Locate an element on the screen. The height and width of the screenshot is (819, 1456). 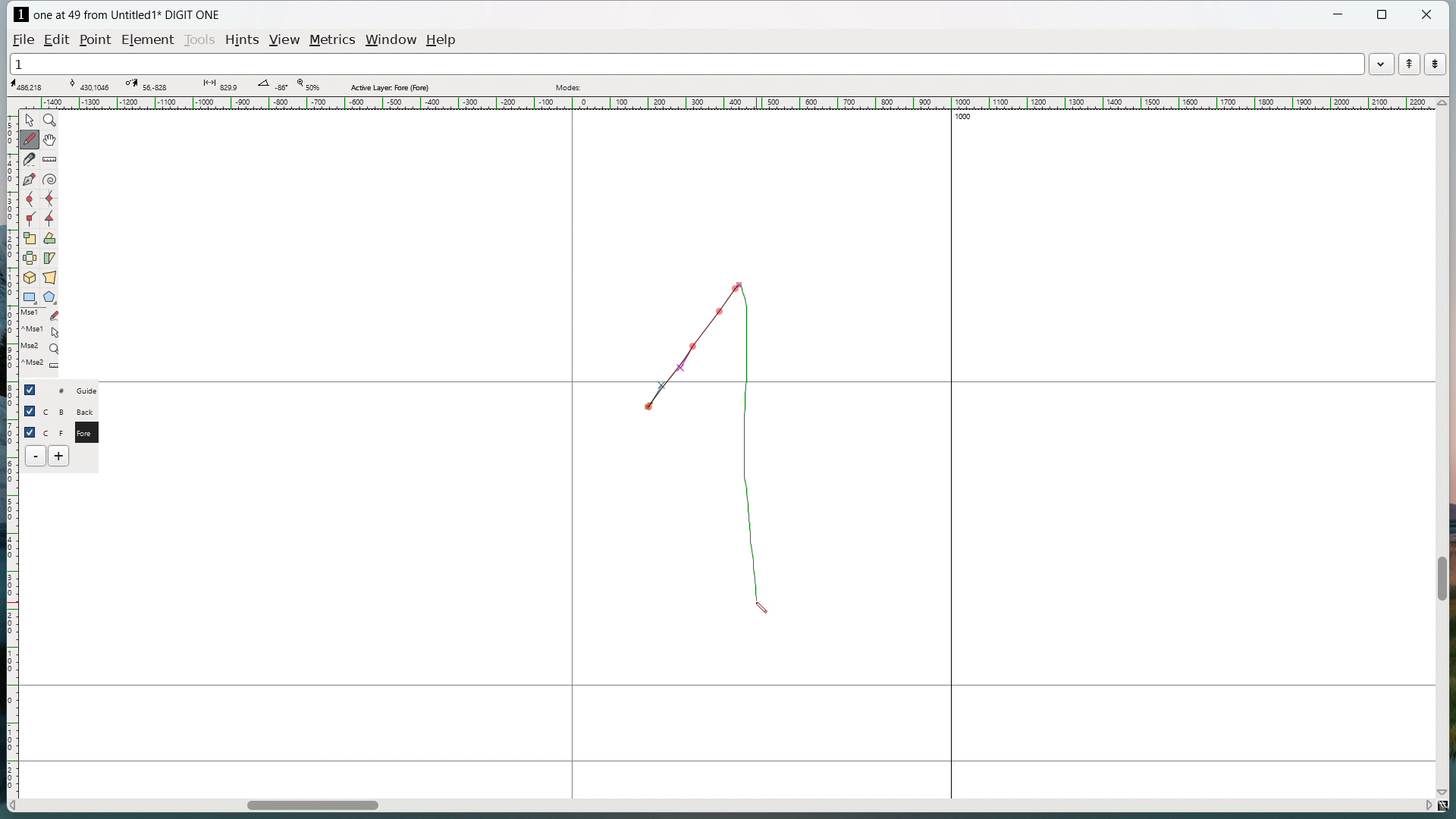
flip the selection is located at coordinates (30, 258).